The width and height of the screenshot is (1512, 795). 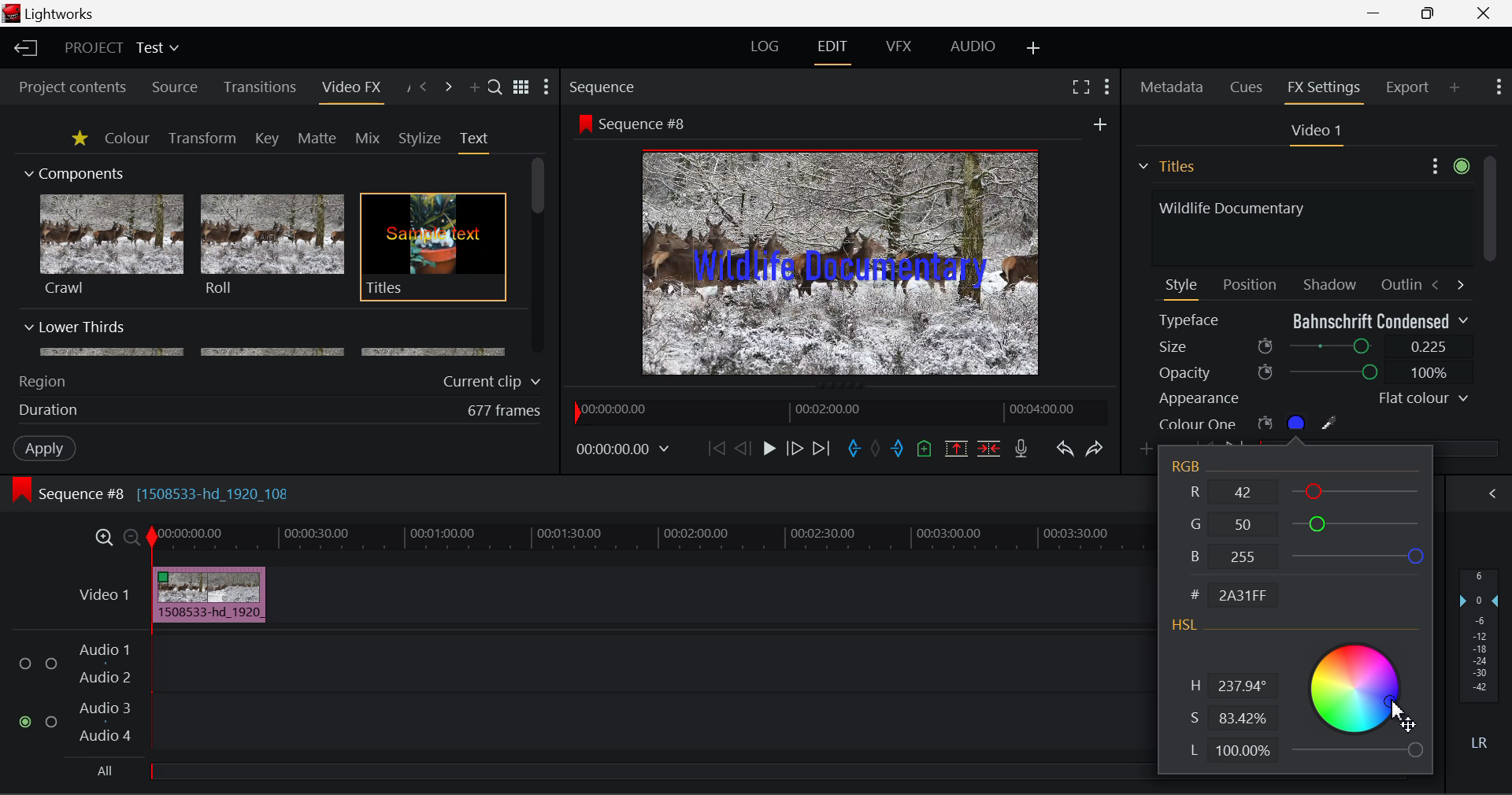 What do you see at coordinates (28, 664) in the screenshot?
I see `checkbox` at bounding box center [28, 664].